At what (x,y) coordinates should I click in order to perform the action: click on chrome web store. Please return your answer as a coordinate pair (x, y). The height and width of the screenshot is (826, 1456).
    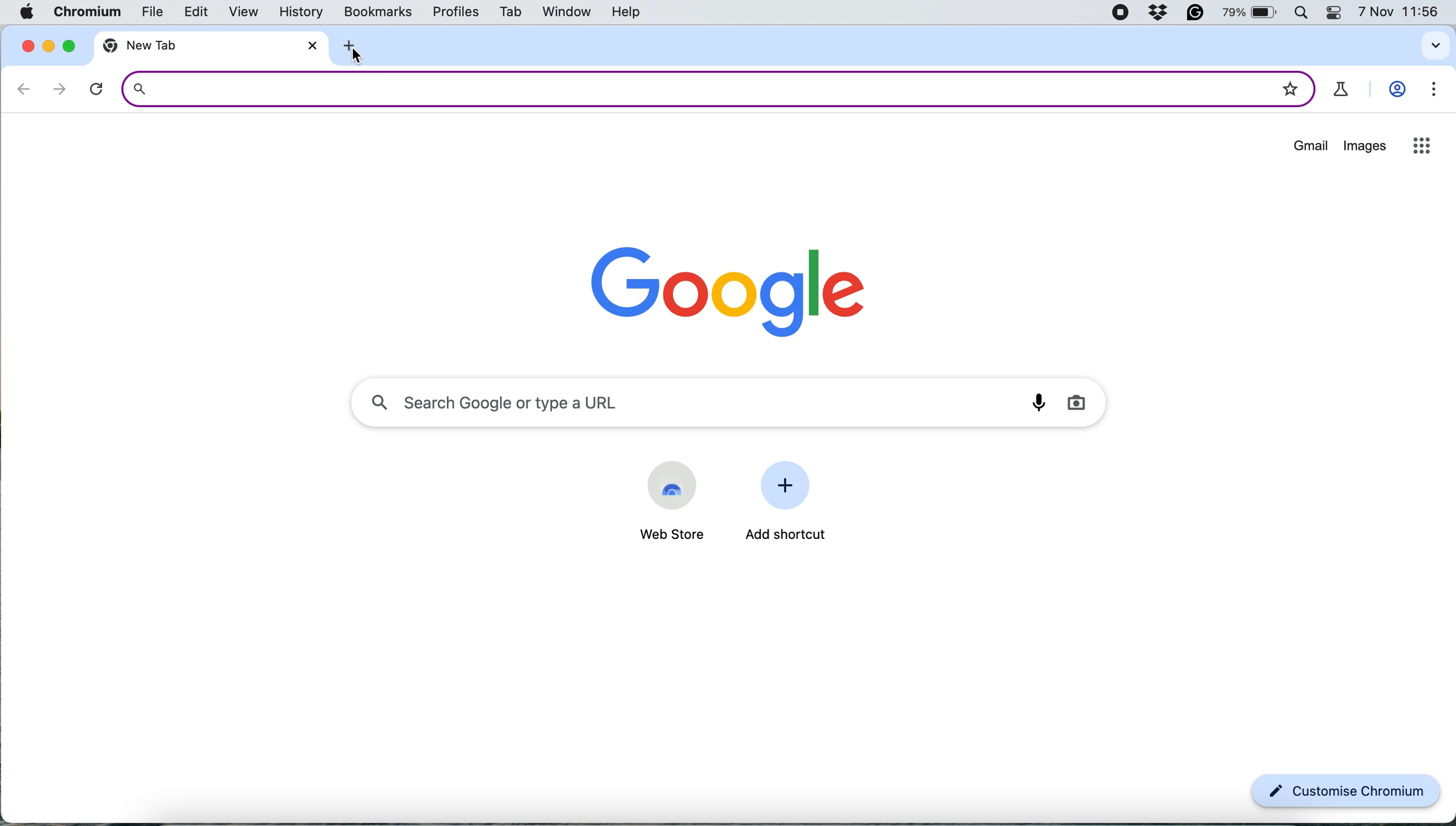
    Looking at the image, I should click on (672, 484).